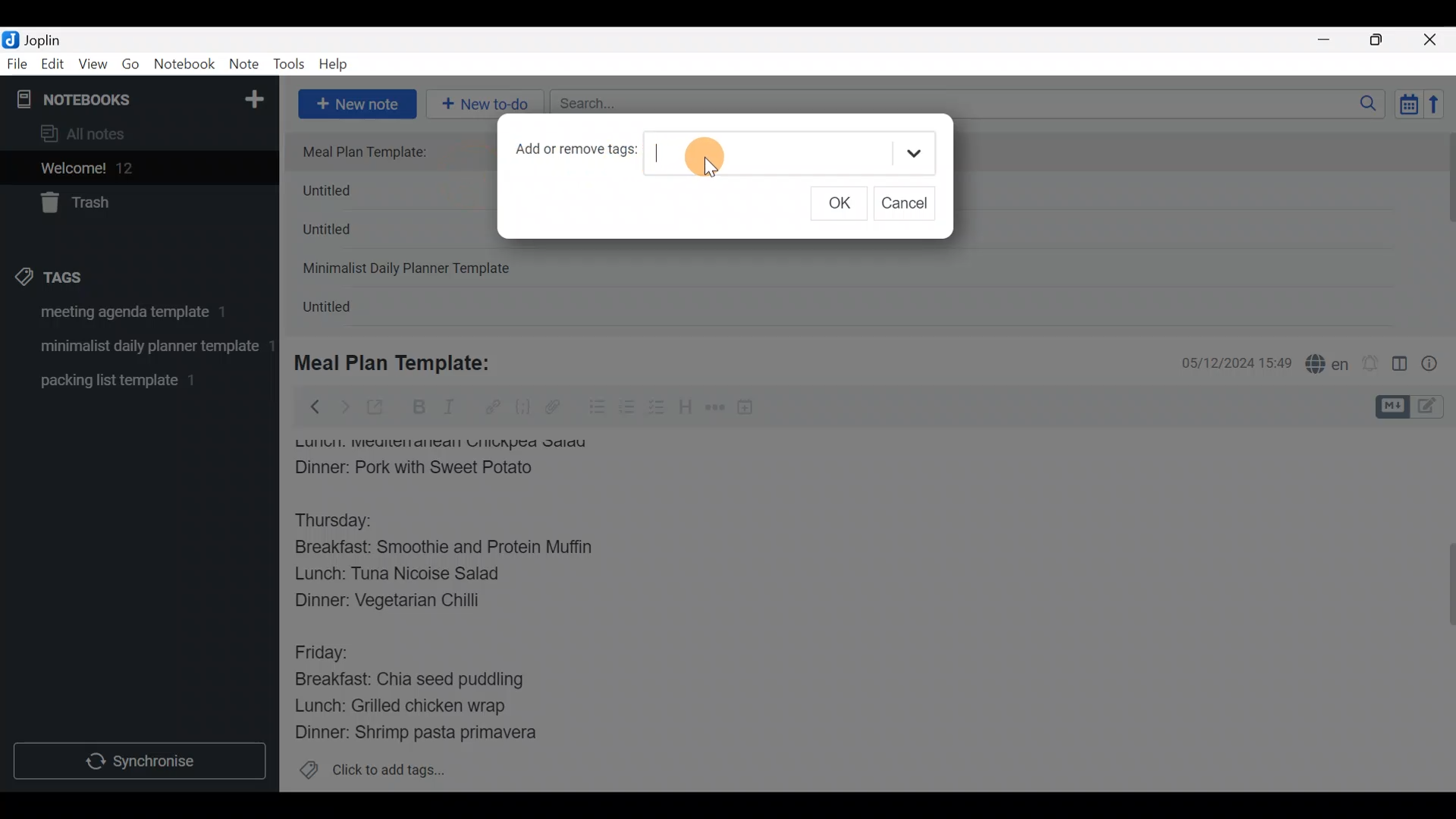 The width and height of the screenshot is (1456, 819). What do you see at coordinates (1446, 229) in the screenshot?
I see `scroll bar` at bounding box center [1446, 229].